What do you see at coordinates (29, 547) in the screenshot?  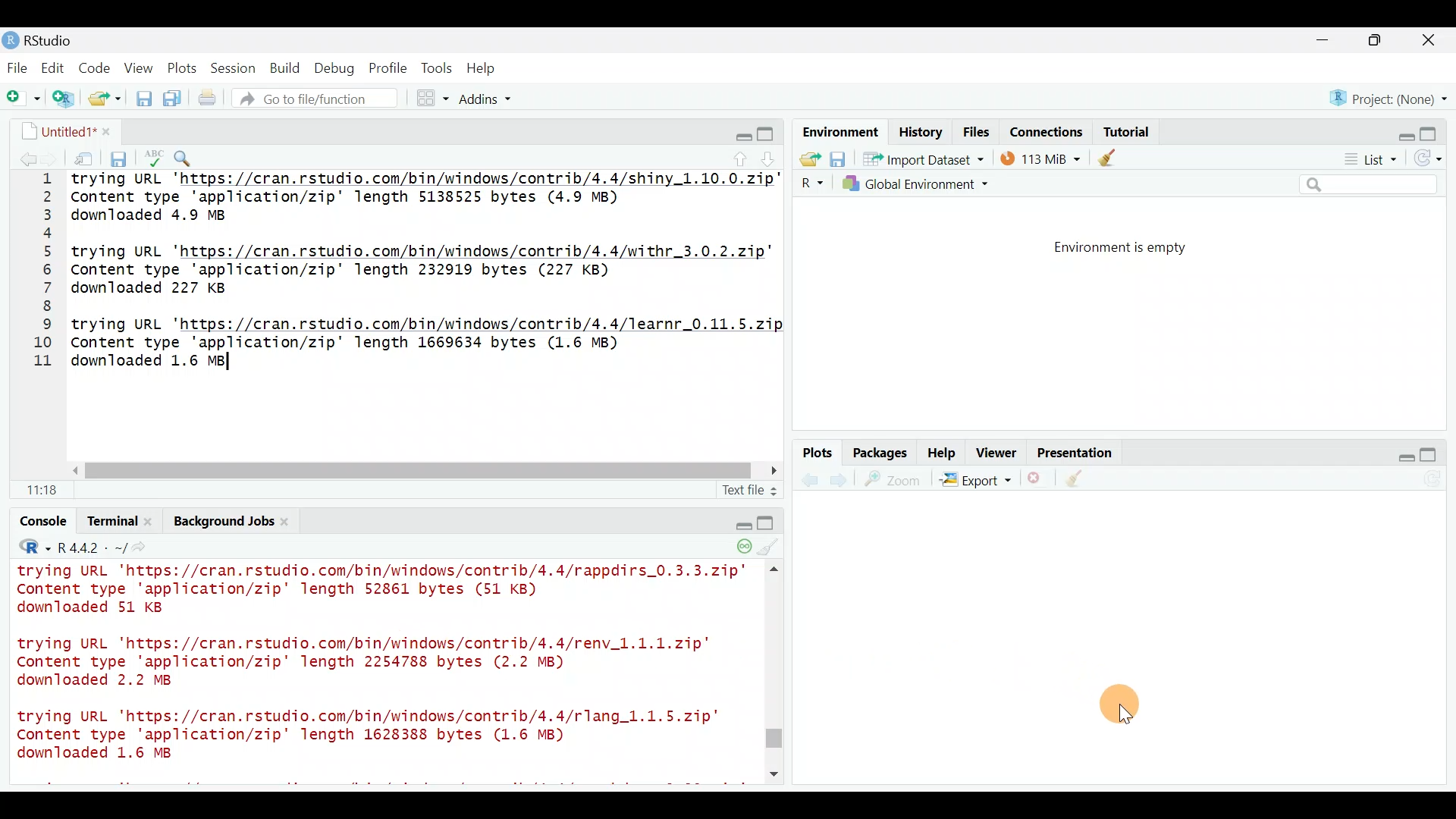 I see `R` at bounding box center [29, 547].